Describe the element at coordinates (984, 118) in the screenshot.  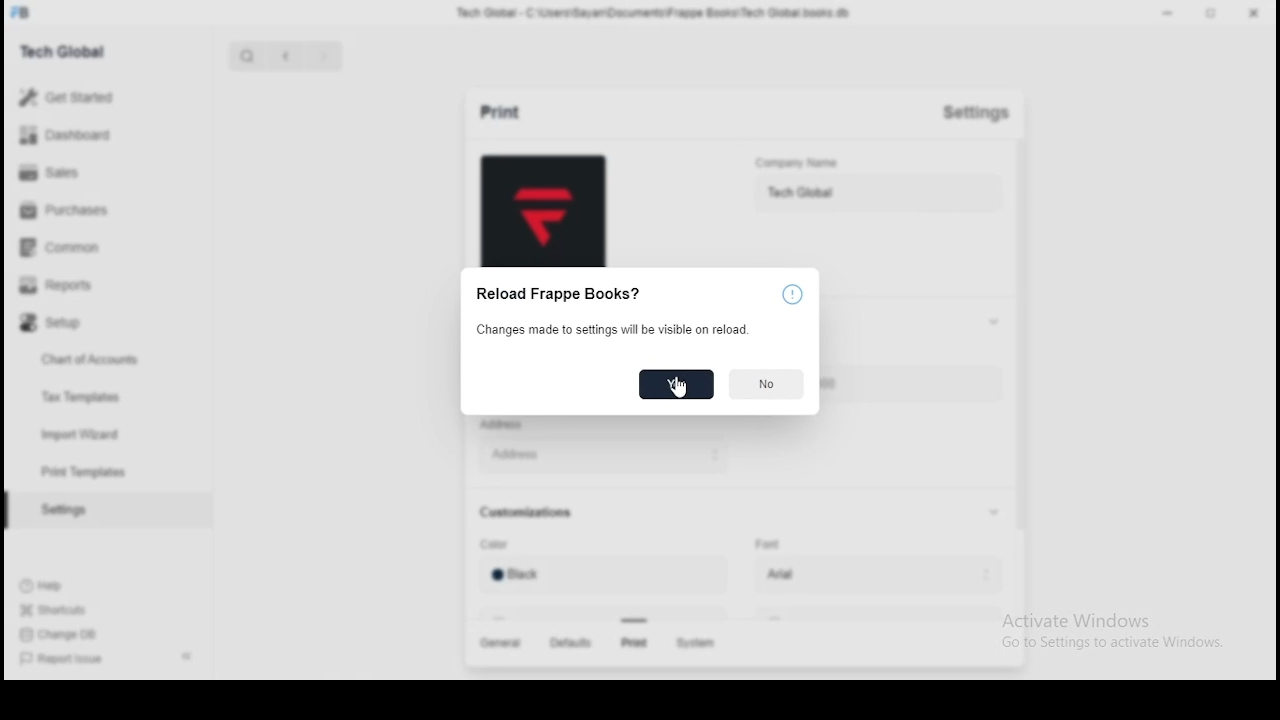
I see `Settings` at that location.